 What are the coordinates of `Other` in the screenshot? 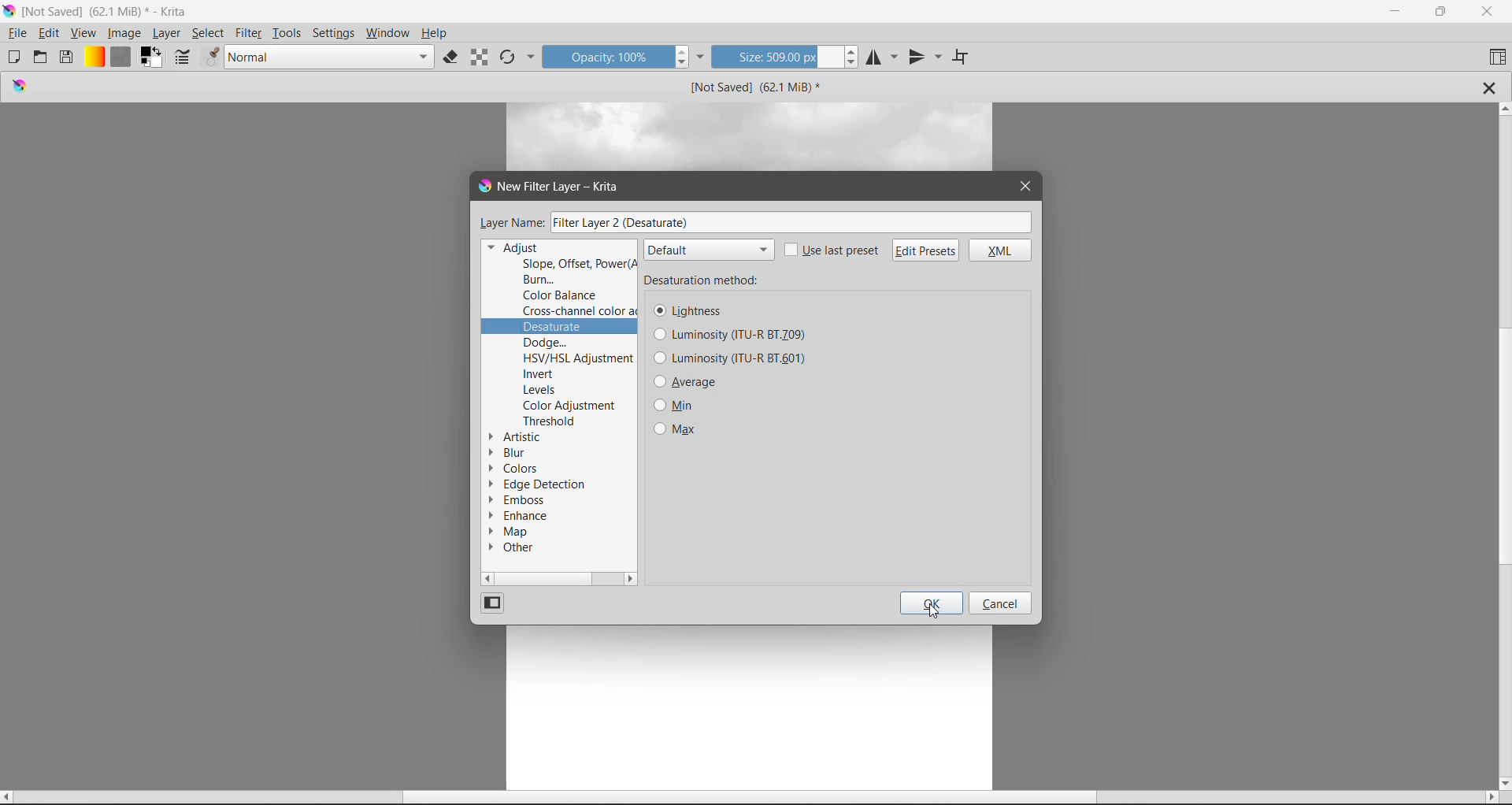 It's located at (516, 548).